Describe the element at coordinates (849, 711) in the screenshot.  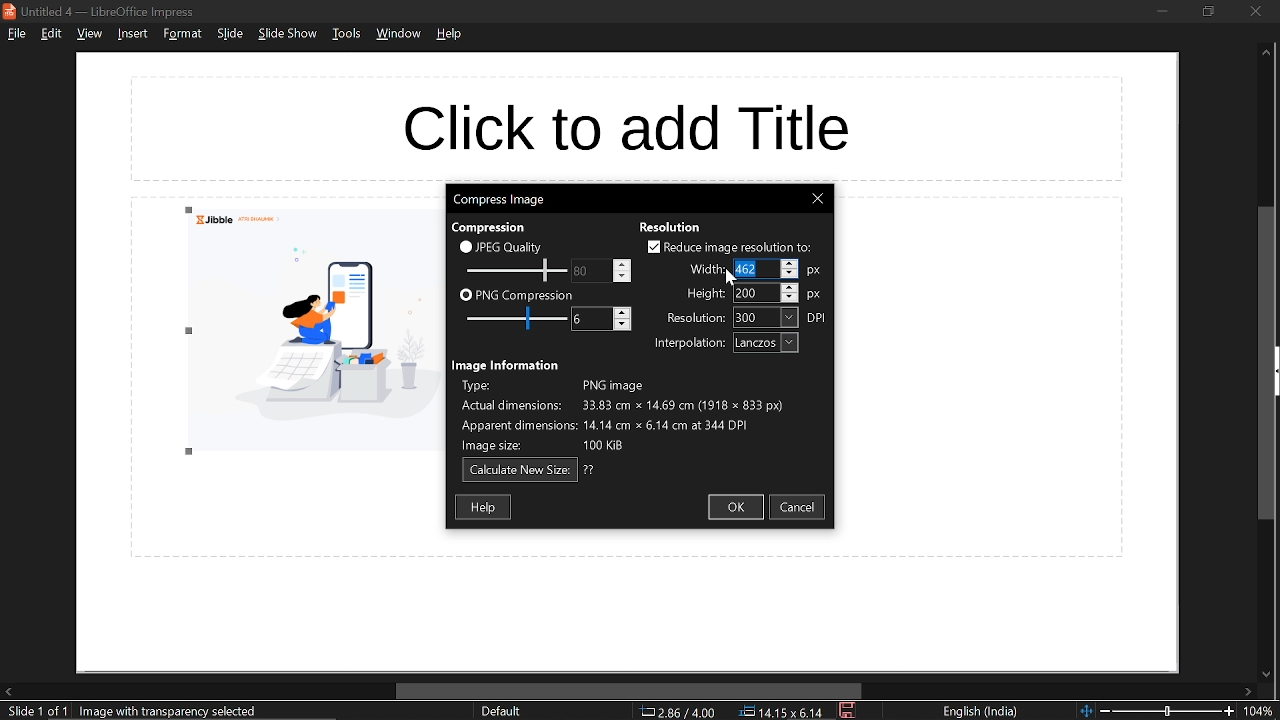
I see `save` at that location.